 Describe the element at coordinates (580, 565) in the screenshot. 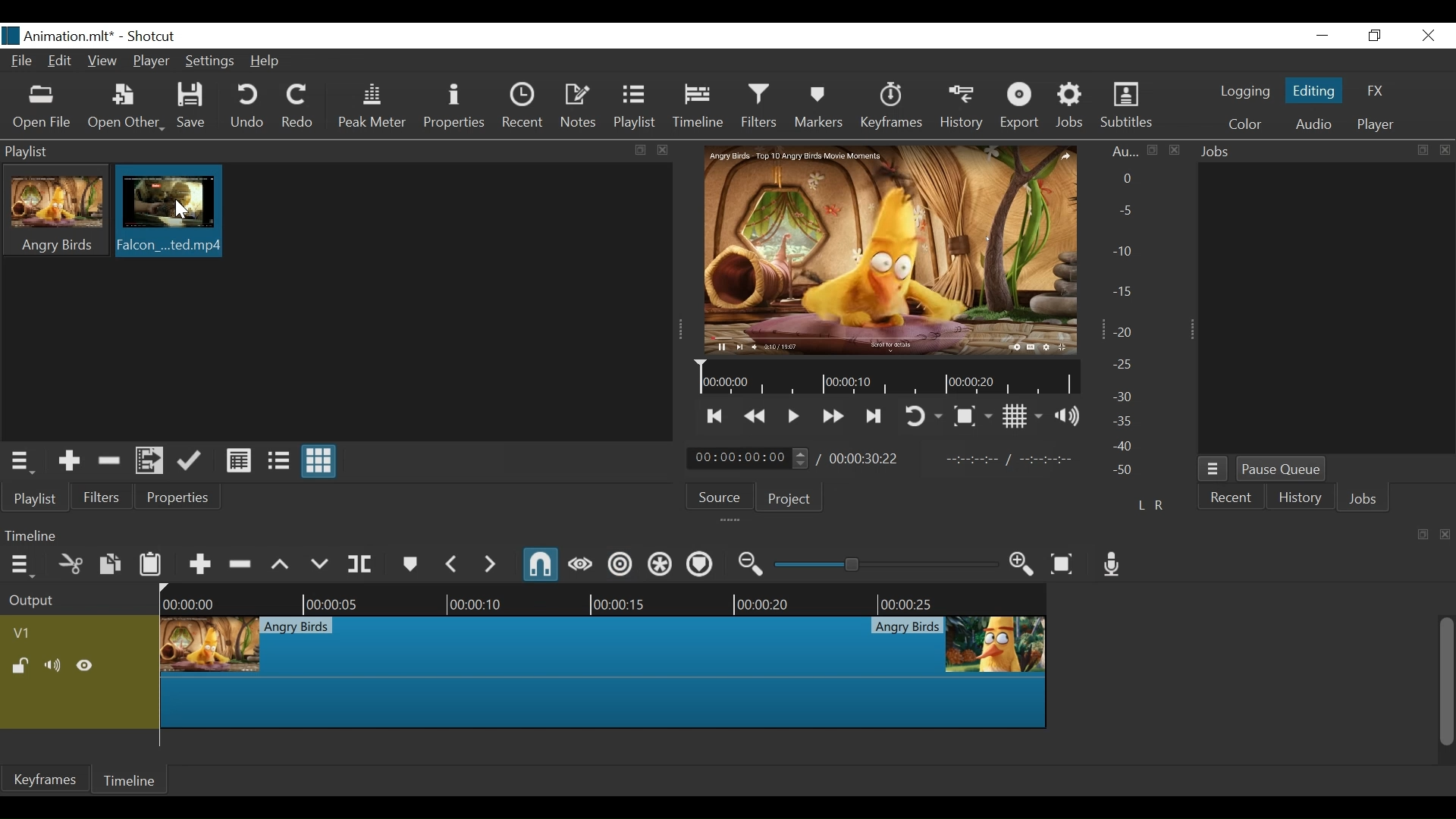

I see `Scrub while dragging` at that location.